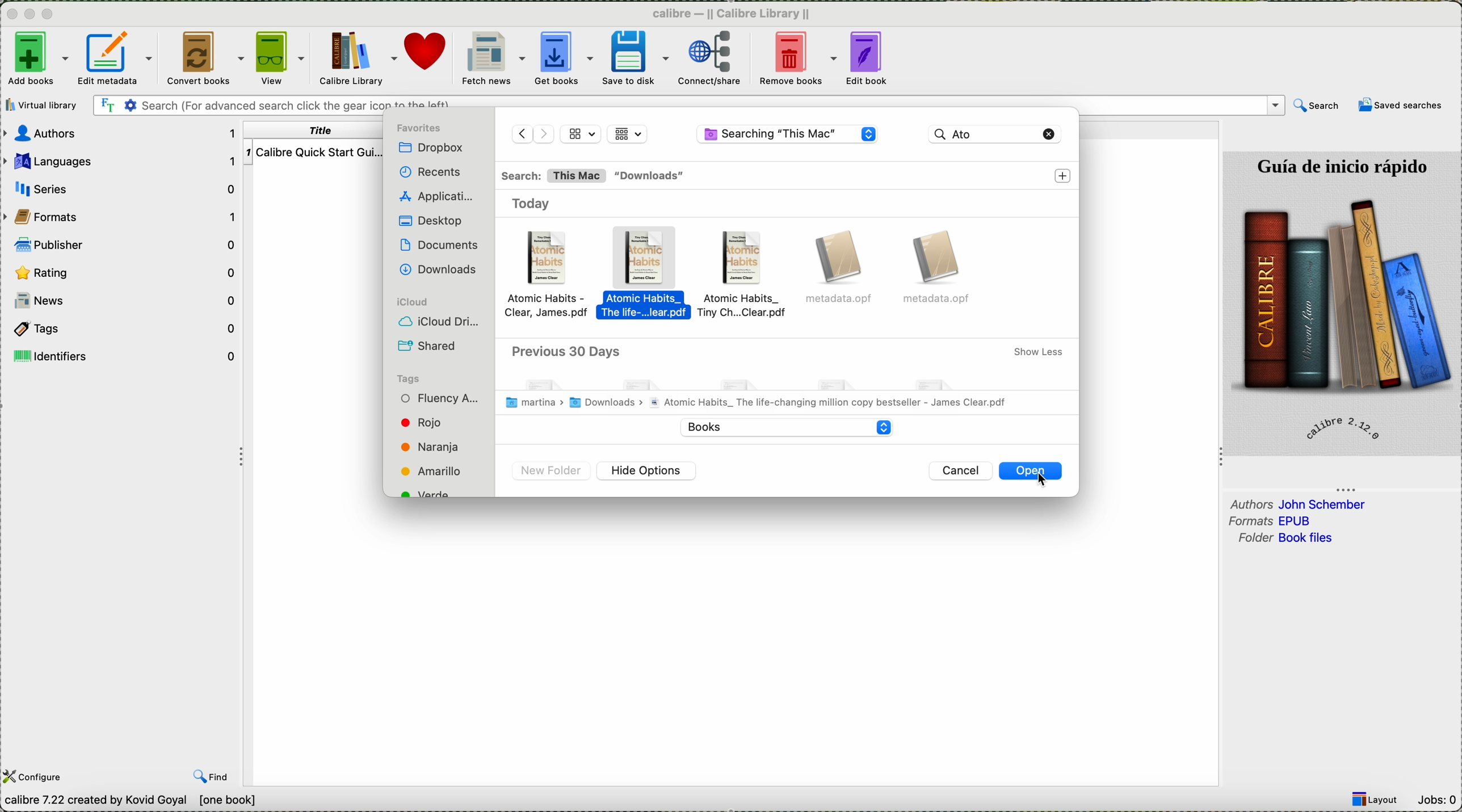  What do you see at coordinates (439, 269) in the screenshot?
I see `downloads` at bounding box center [439, 269].